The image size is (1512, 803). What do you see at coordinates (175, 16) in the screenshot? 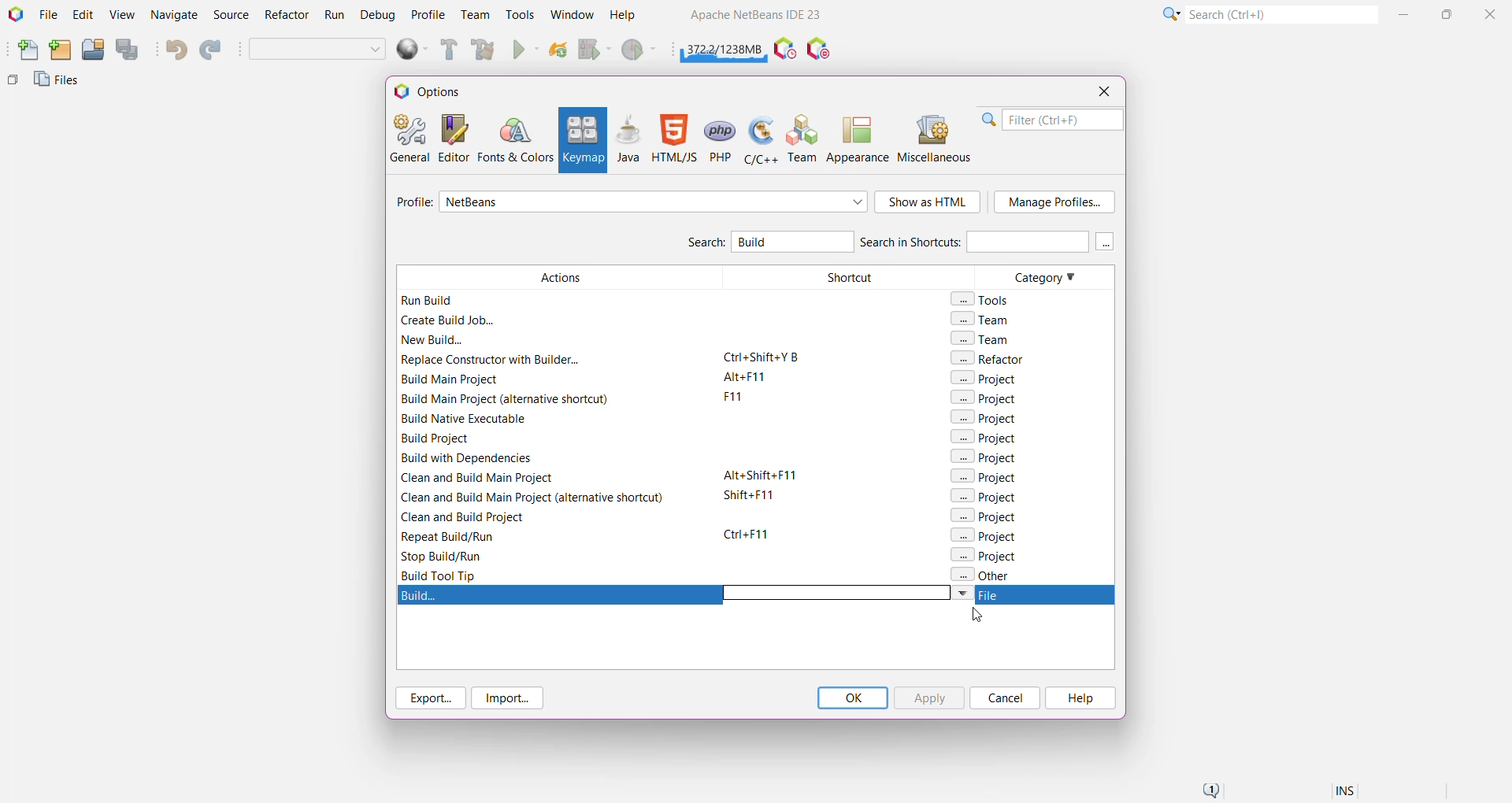
I see `Navigate` at bounding box center [175, 16].